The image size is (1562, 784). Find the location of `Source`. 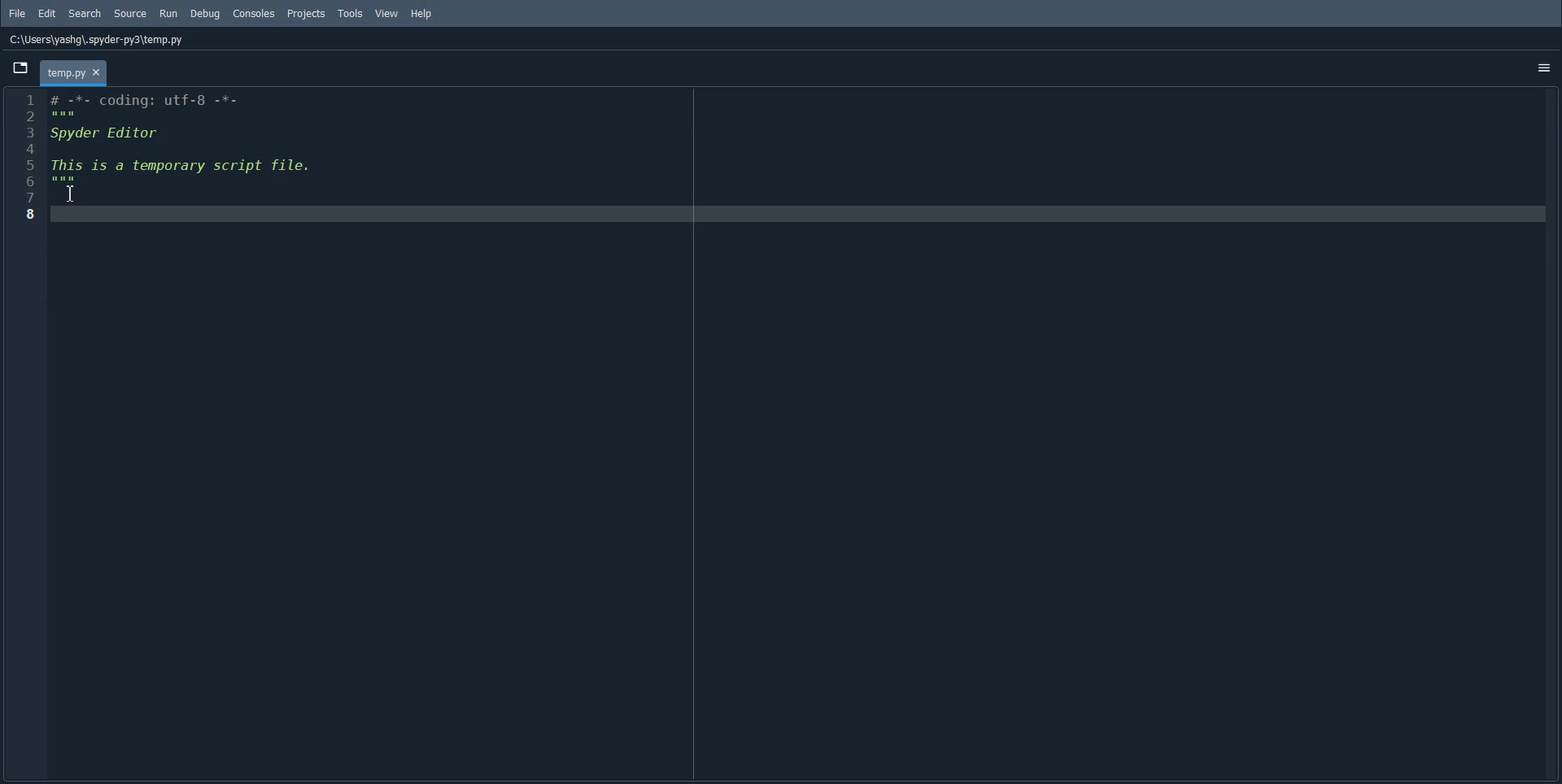

Source is located at coordinates (133, 14).